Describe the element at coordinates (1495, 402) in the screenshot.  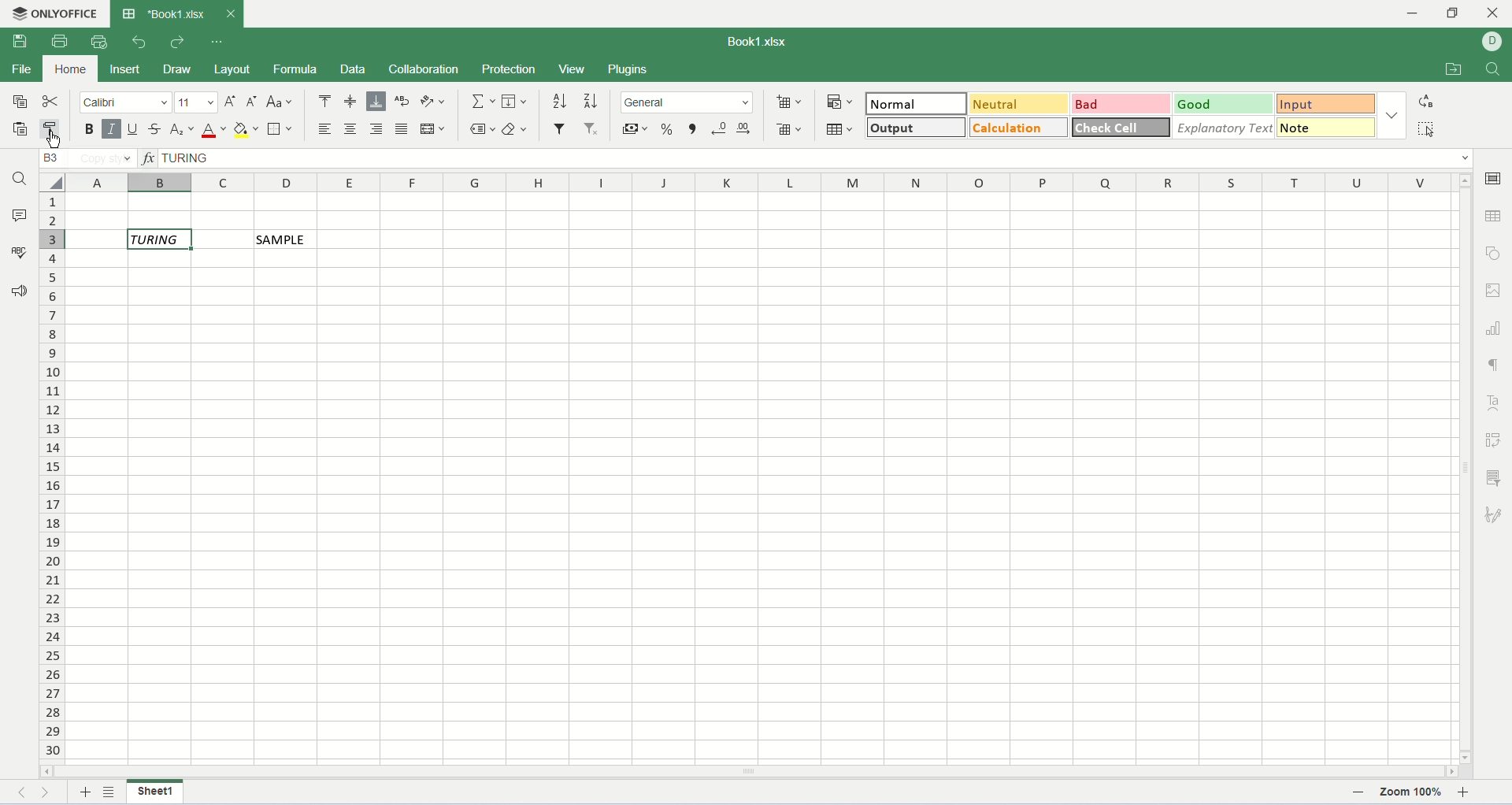
I see `text art settings` at that location.